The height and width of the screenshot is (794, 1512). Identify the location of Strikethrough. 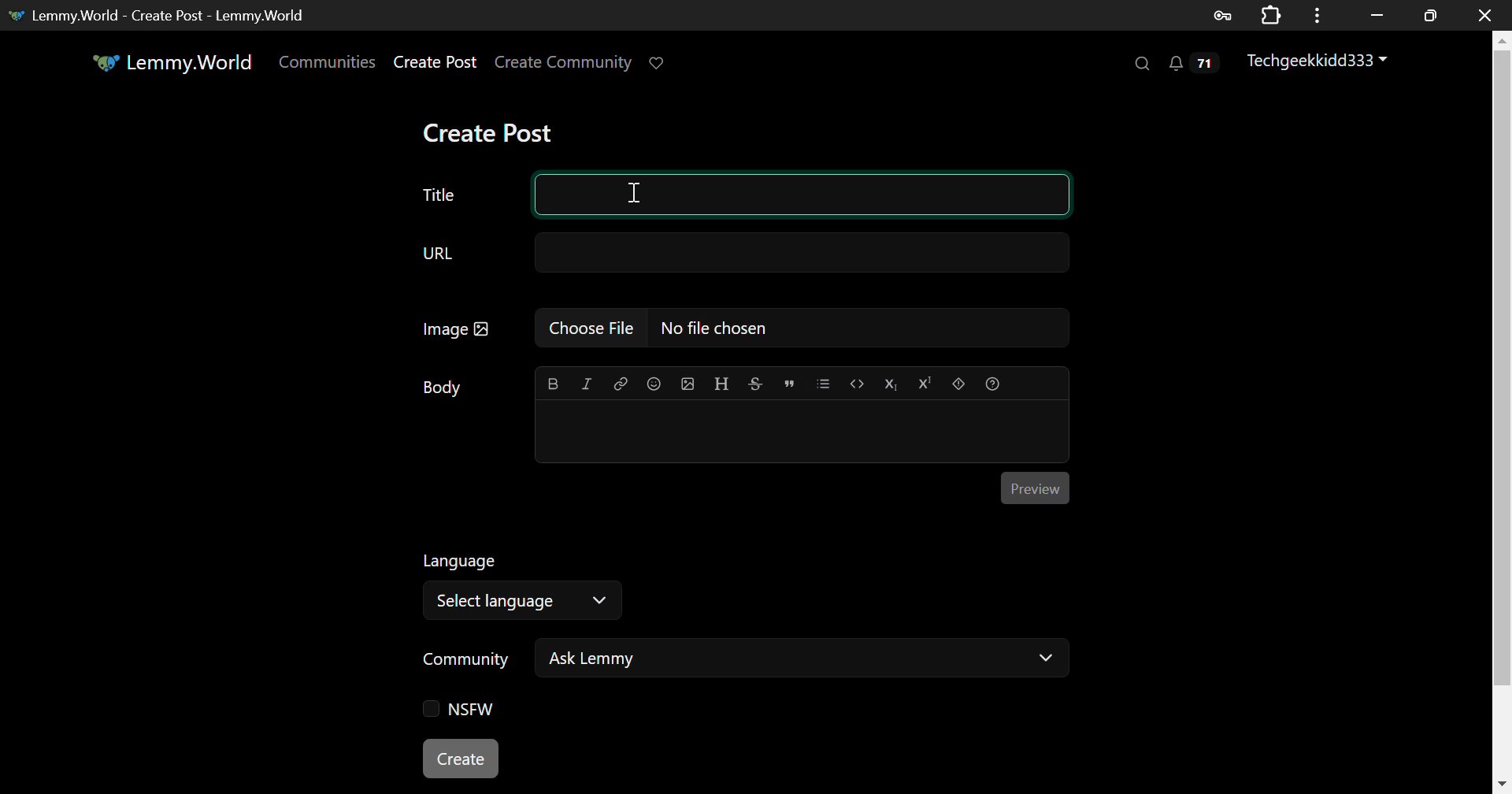
(754, 384).